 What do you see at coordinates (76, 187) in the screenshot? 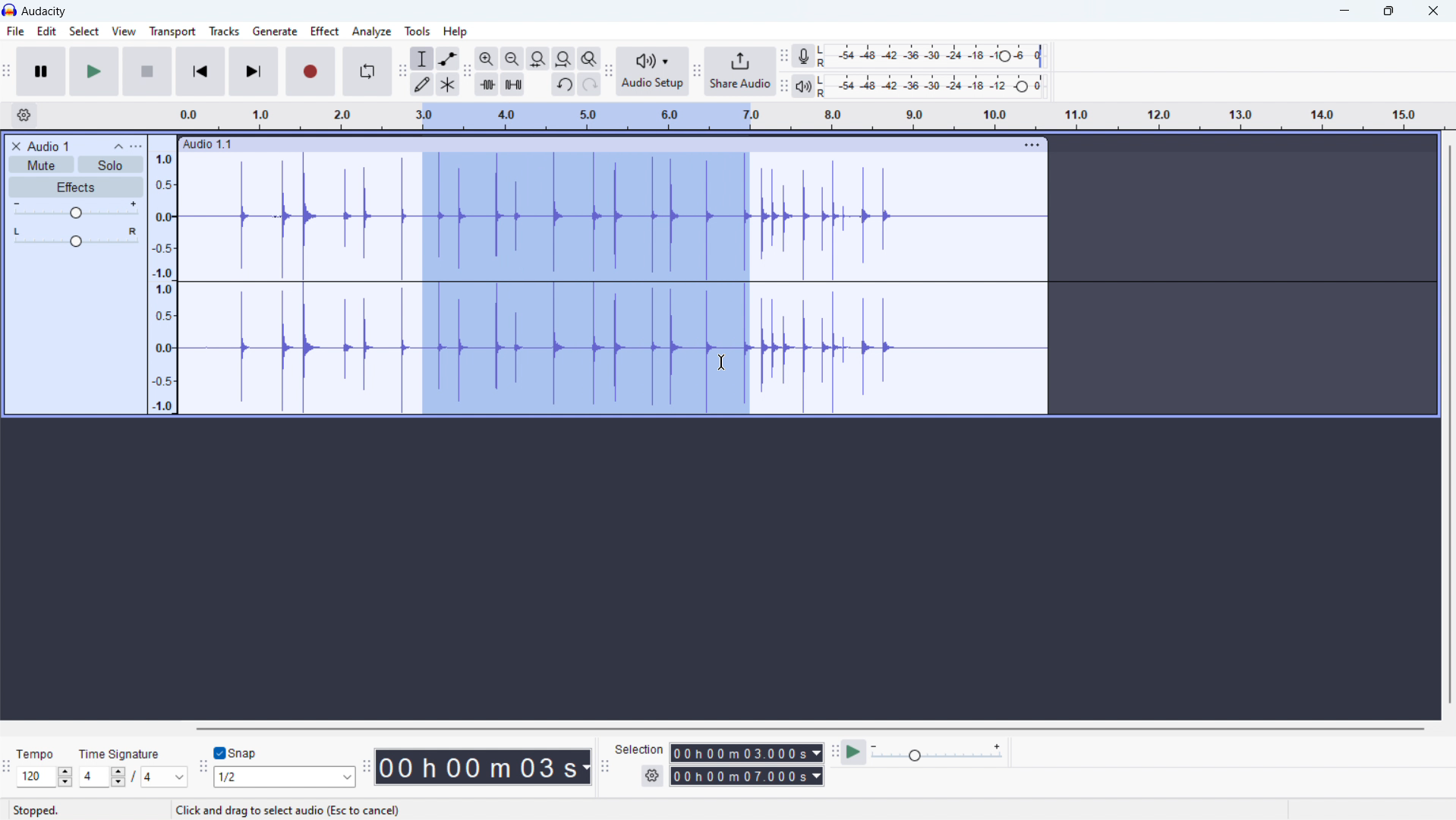
I see `effects` at bounding box center [76, 187].